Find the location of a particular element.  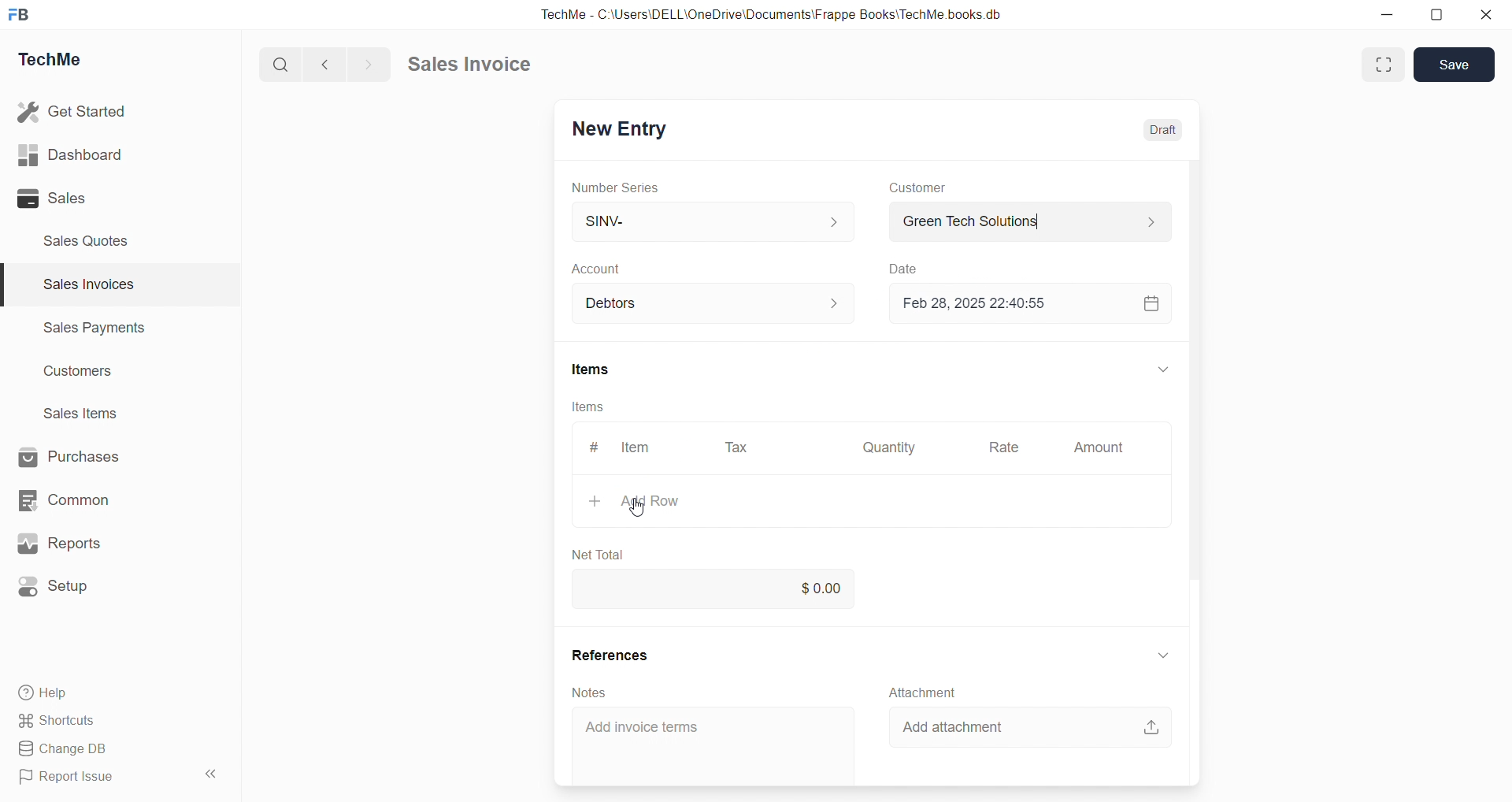

Number Series is located at coordinates (616, 188).